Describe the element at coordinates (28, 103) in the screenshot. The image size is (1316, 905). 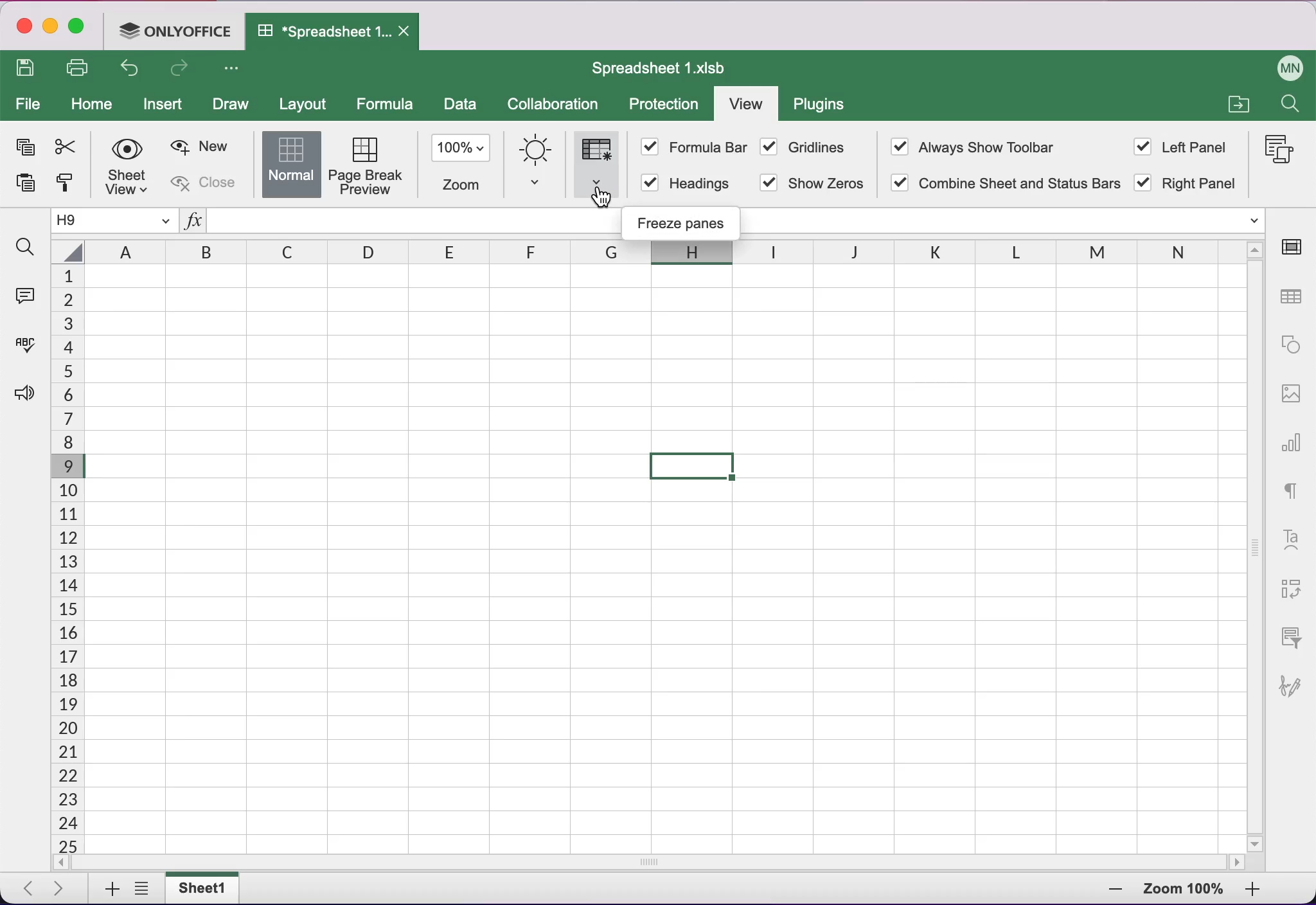
I see `file` at that location.